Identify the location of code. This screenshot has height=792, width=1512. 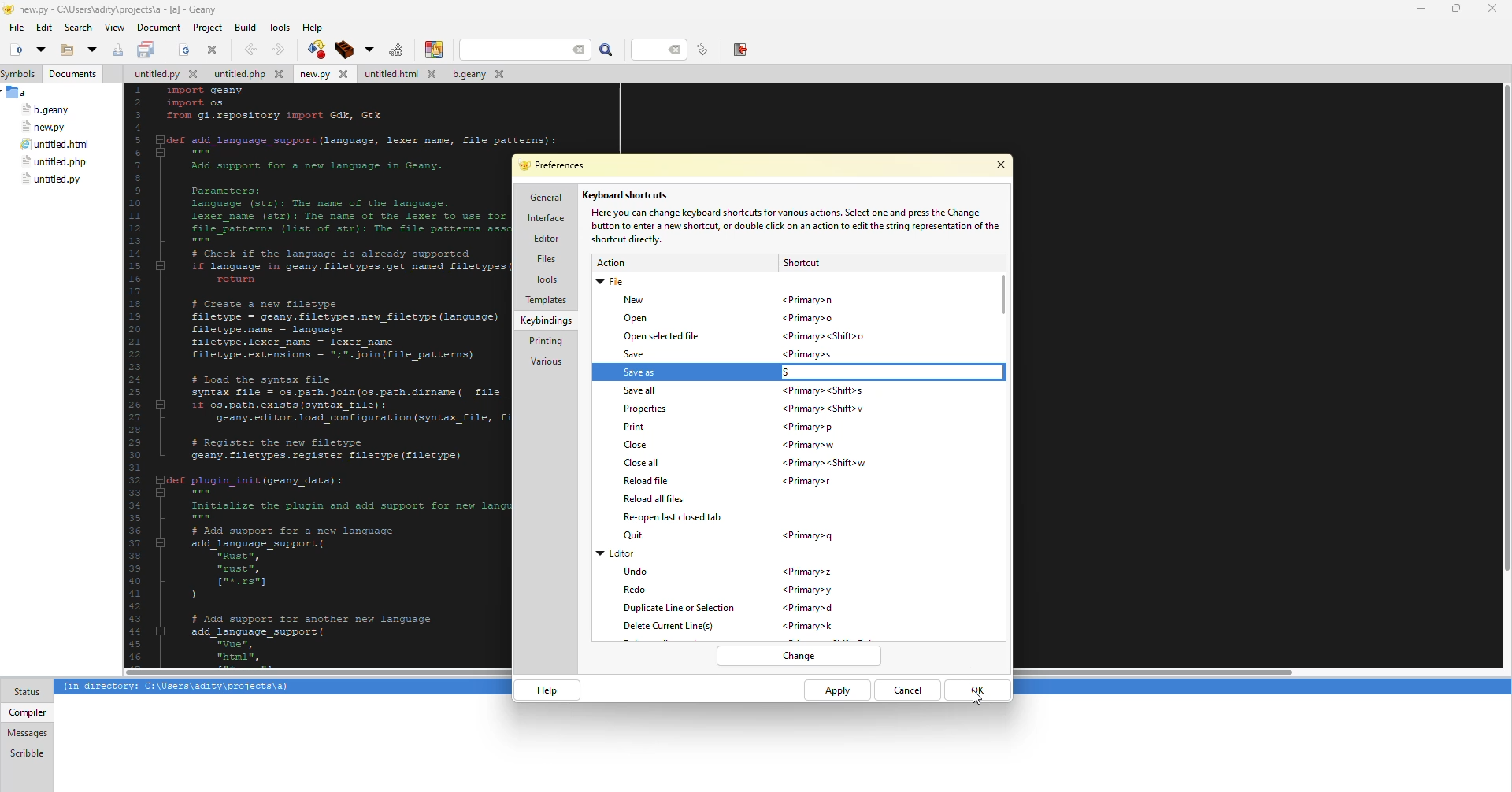
(303, 373).